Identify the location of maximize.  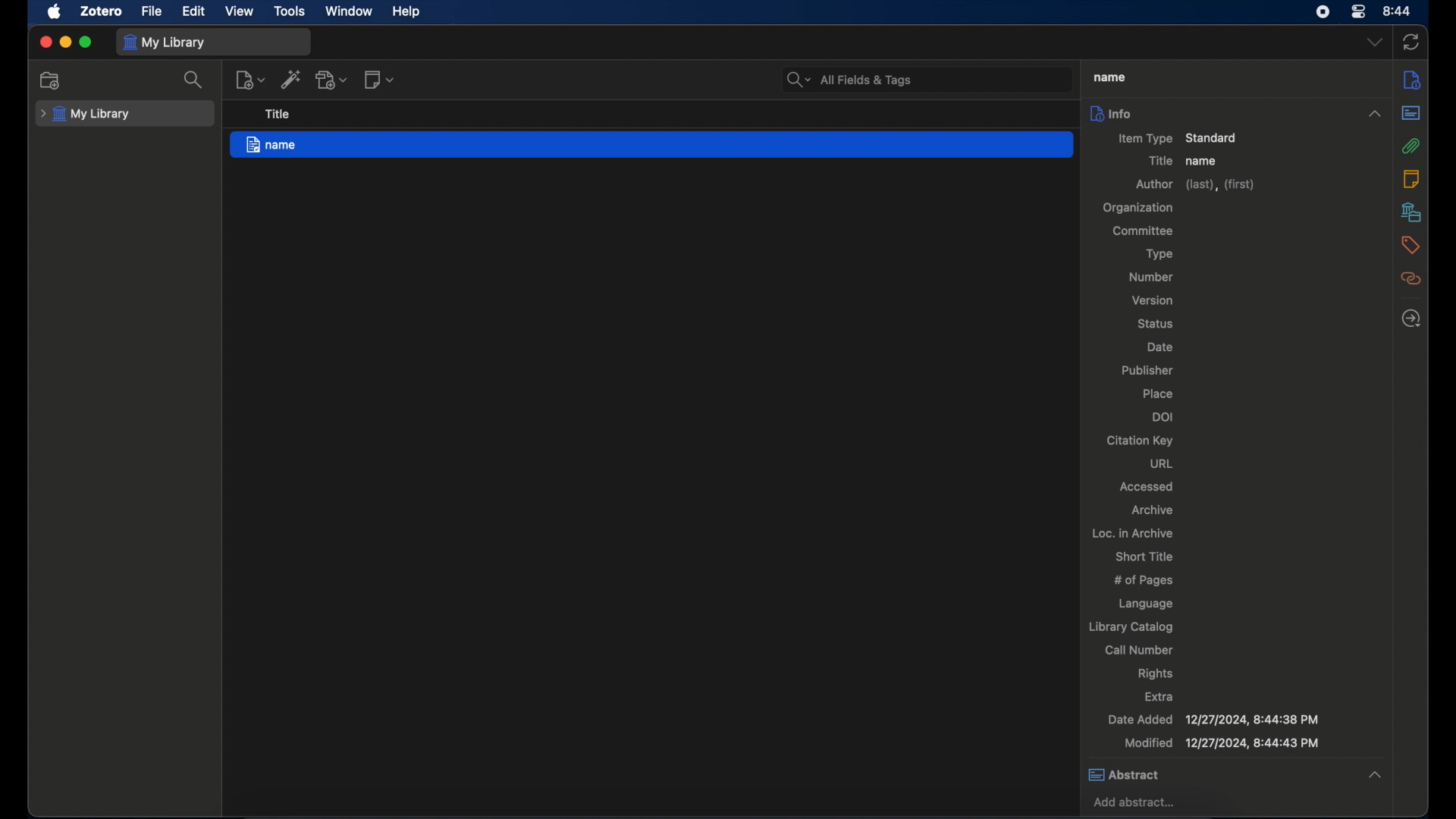
(86, 43).